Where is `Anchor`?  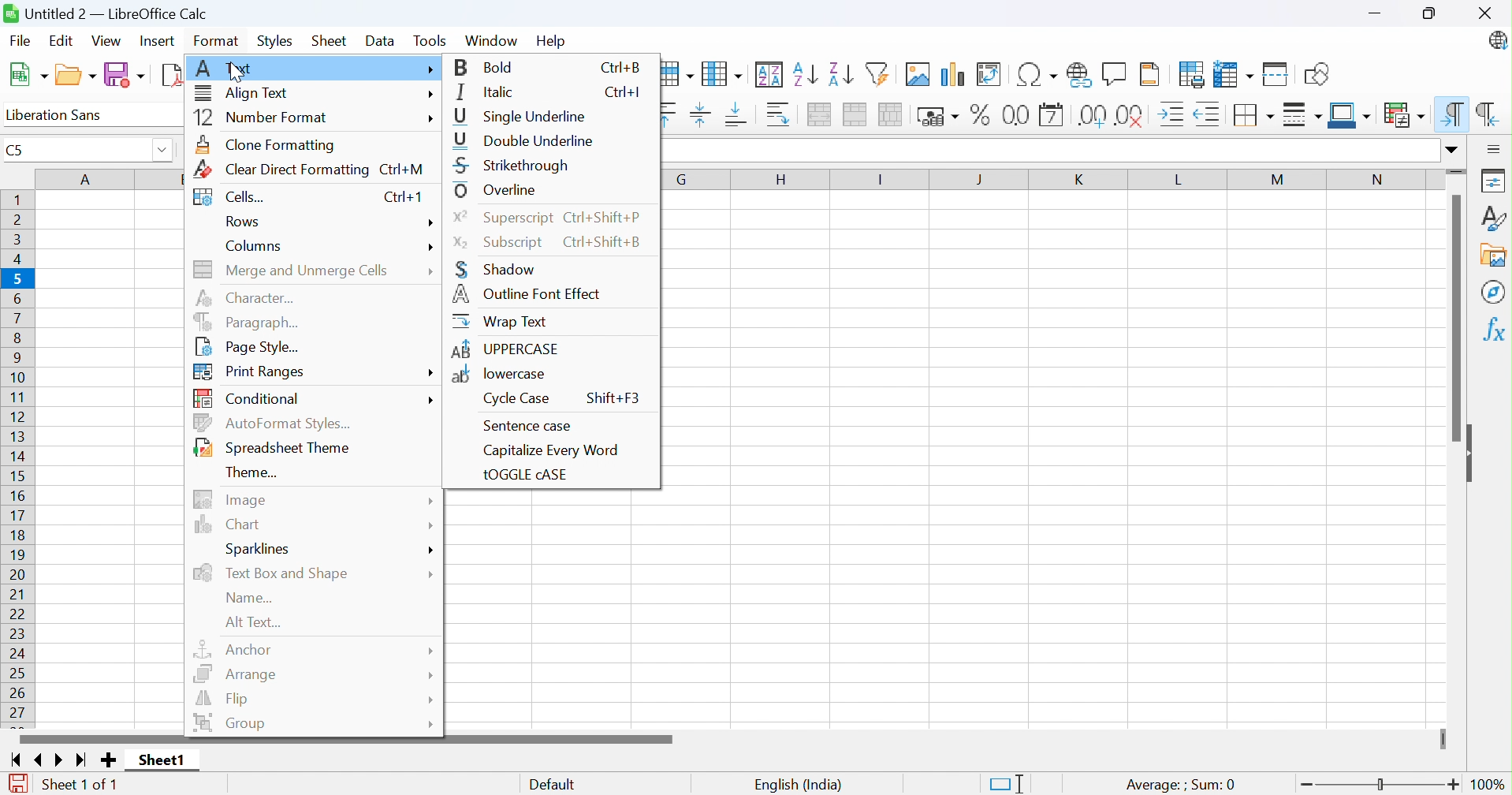 Anchor is located at coordinates (236, 650).